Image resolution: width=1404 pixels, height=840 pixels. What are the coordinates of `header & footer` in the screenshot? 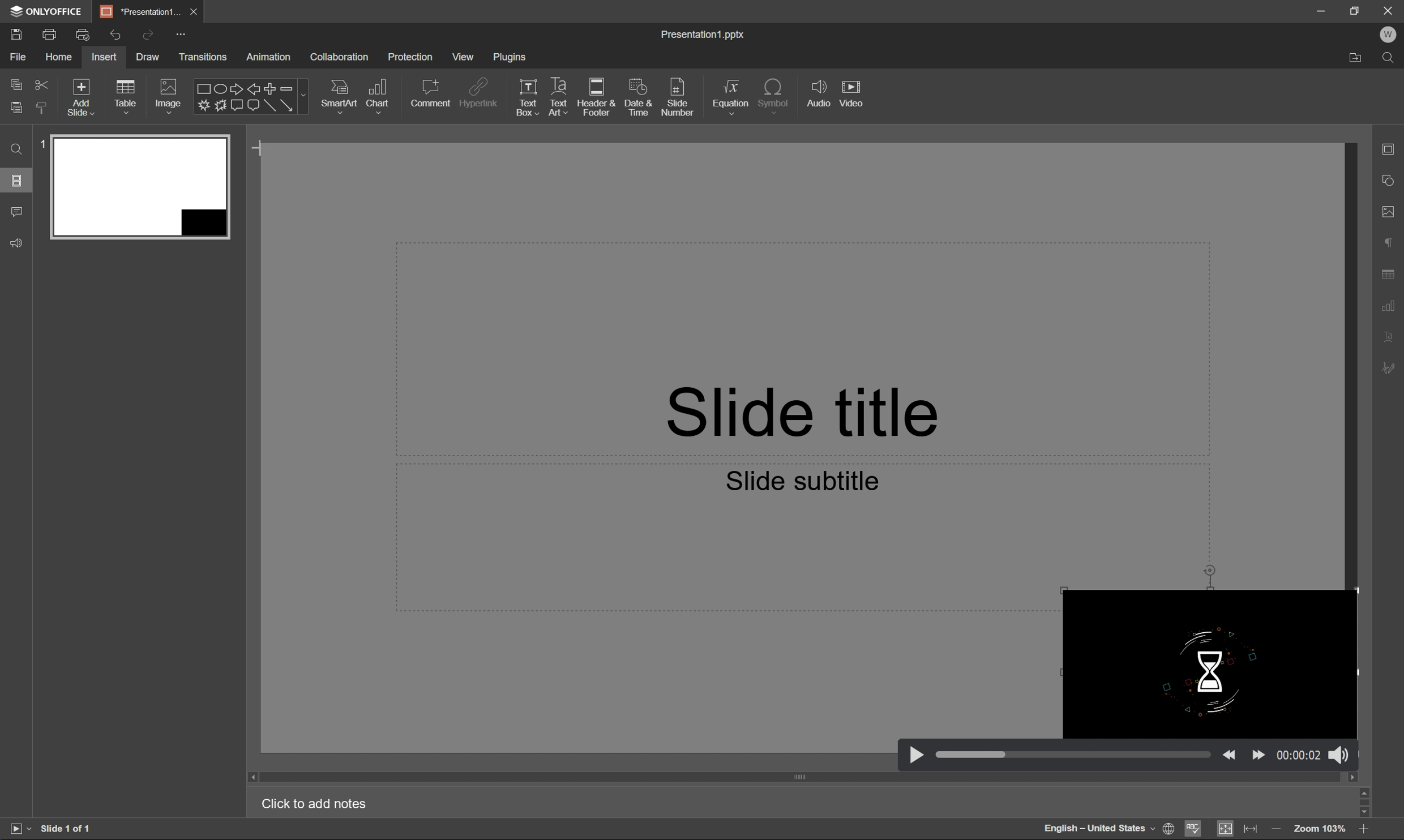 It's located at (597, 98).